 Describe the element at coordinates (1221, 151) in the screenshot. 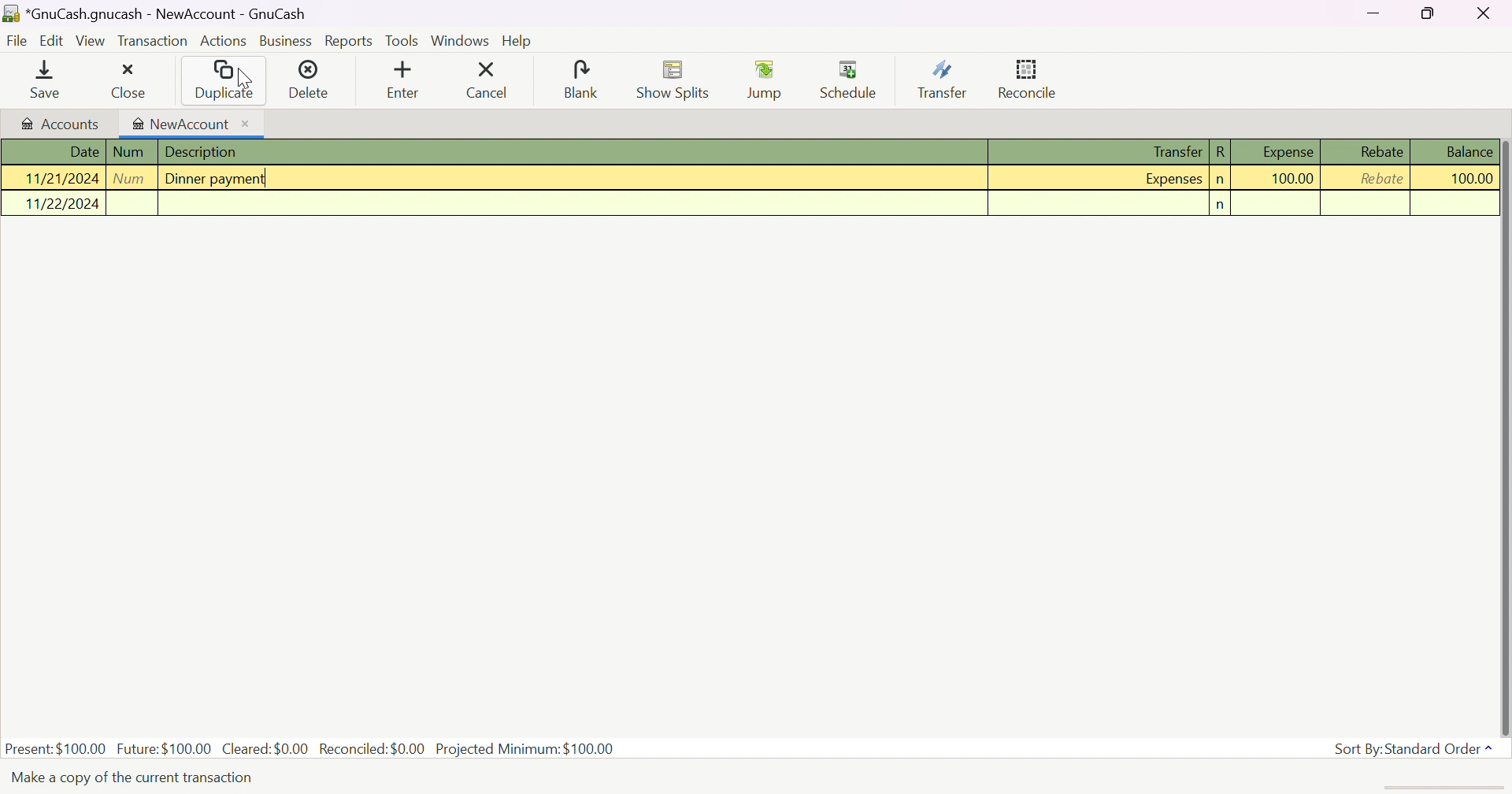

I see `R` at that location.